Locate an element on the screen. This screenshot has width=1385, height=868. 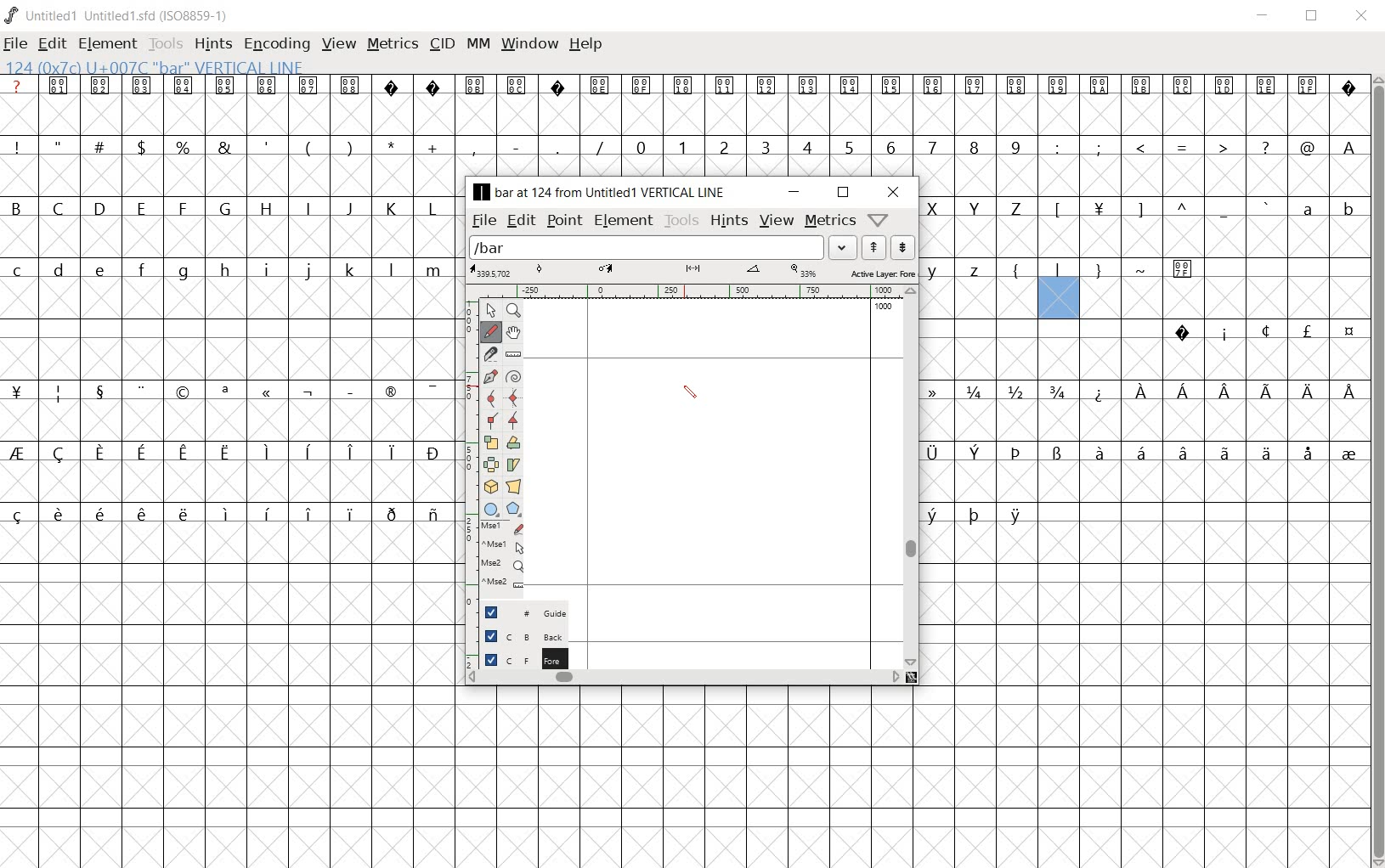
mm is located at coordinates (478, 42).